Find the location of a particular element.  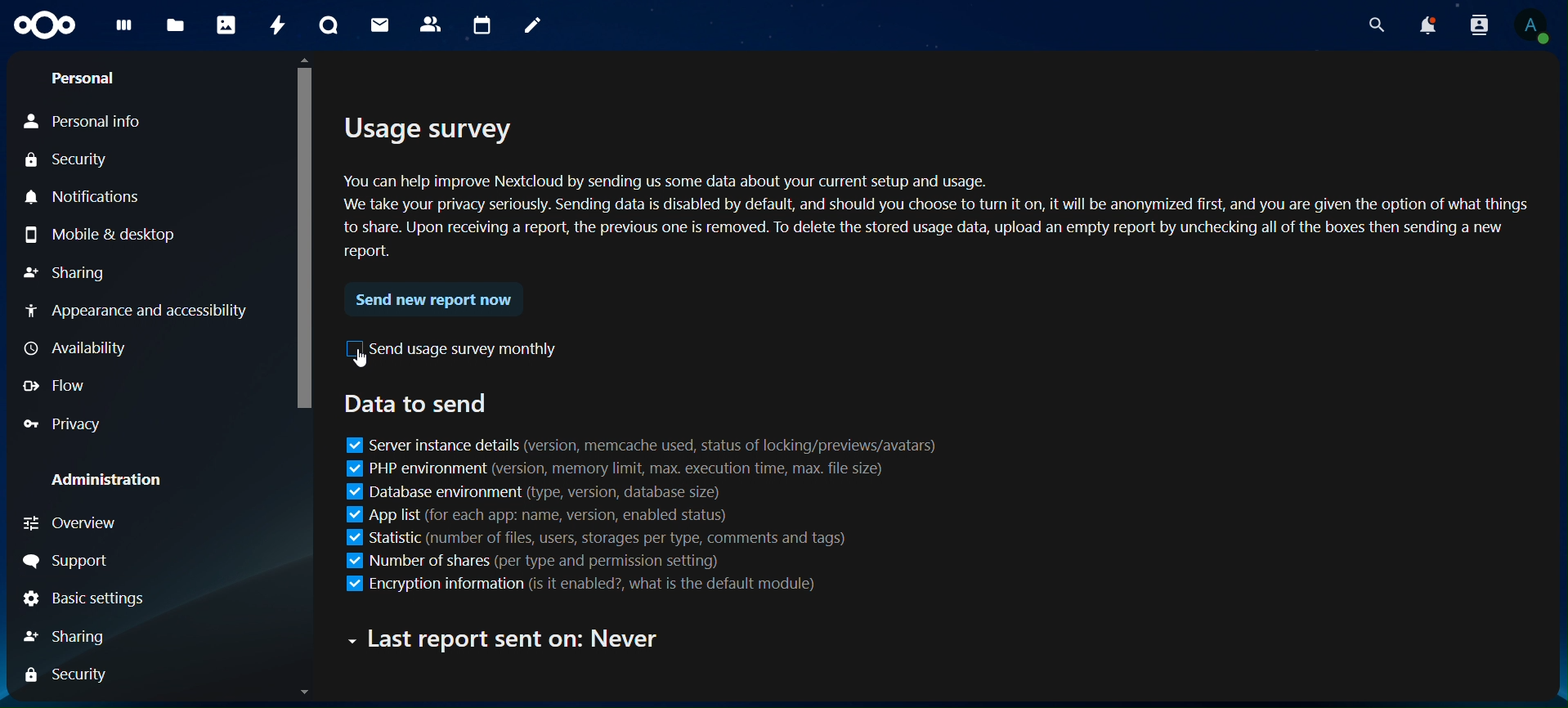

Sharing is located at coordinates (66, 273).